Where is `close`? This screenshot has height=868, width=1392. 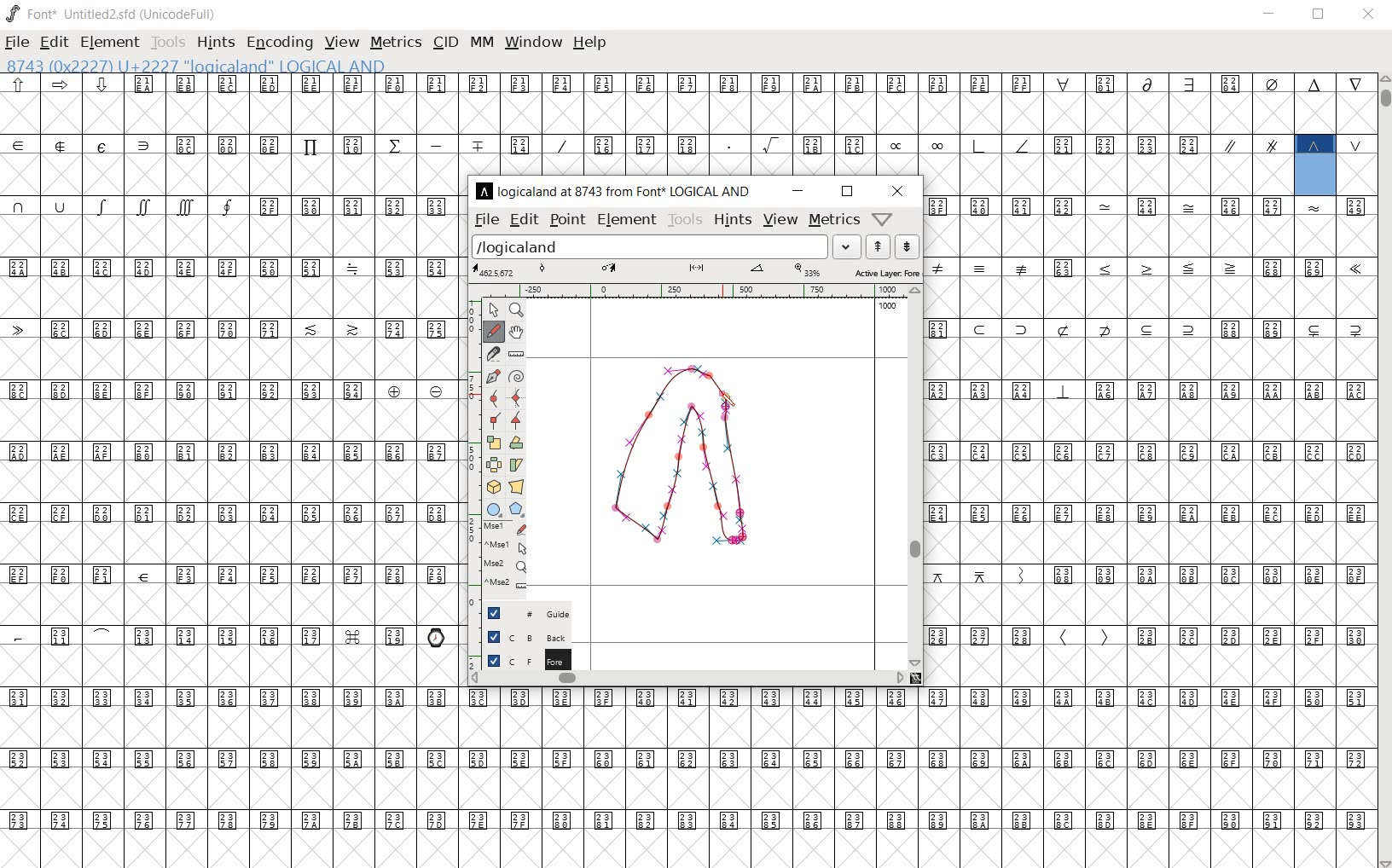
close is located at coordinates (897, 191).